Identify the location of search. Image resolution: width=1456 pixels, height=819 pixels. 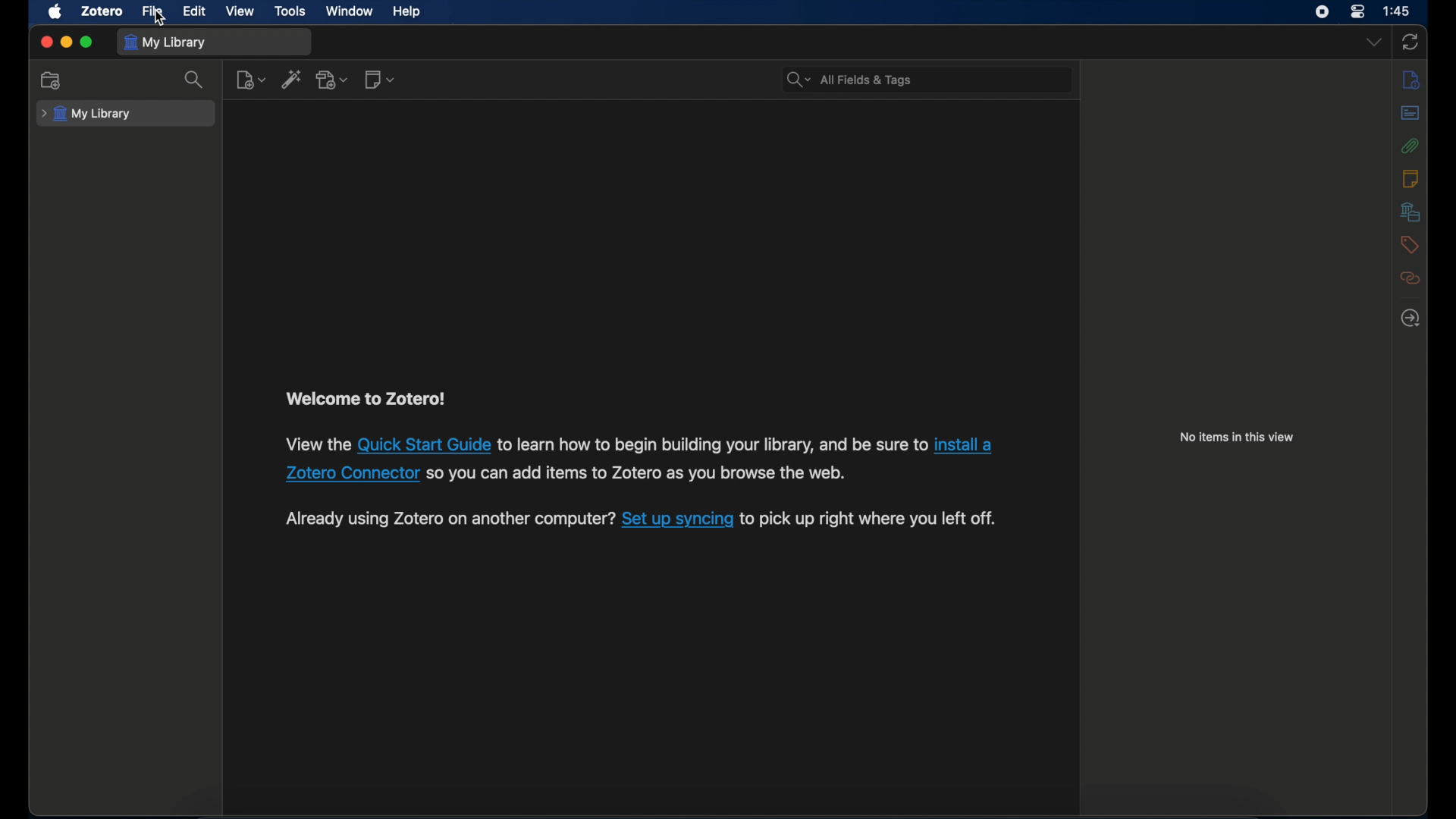
(195, 79).